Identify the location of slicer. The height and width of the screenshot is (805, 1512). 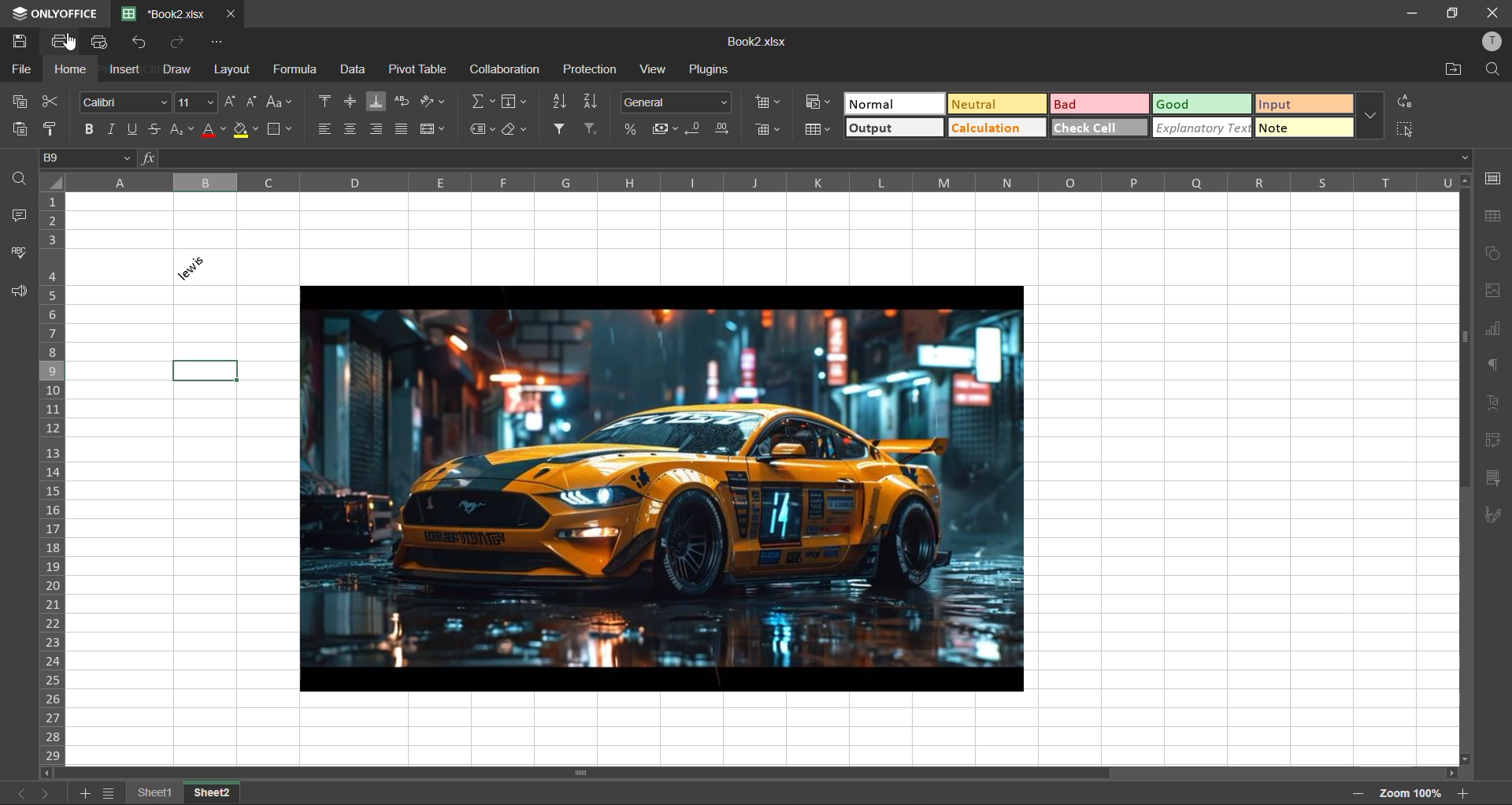
(1495, 478).